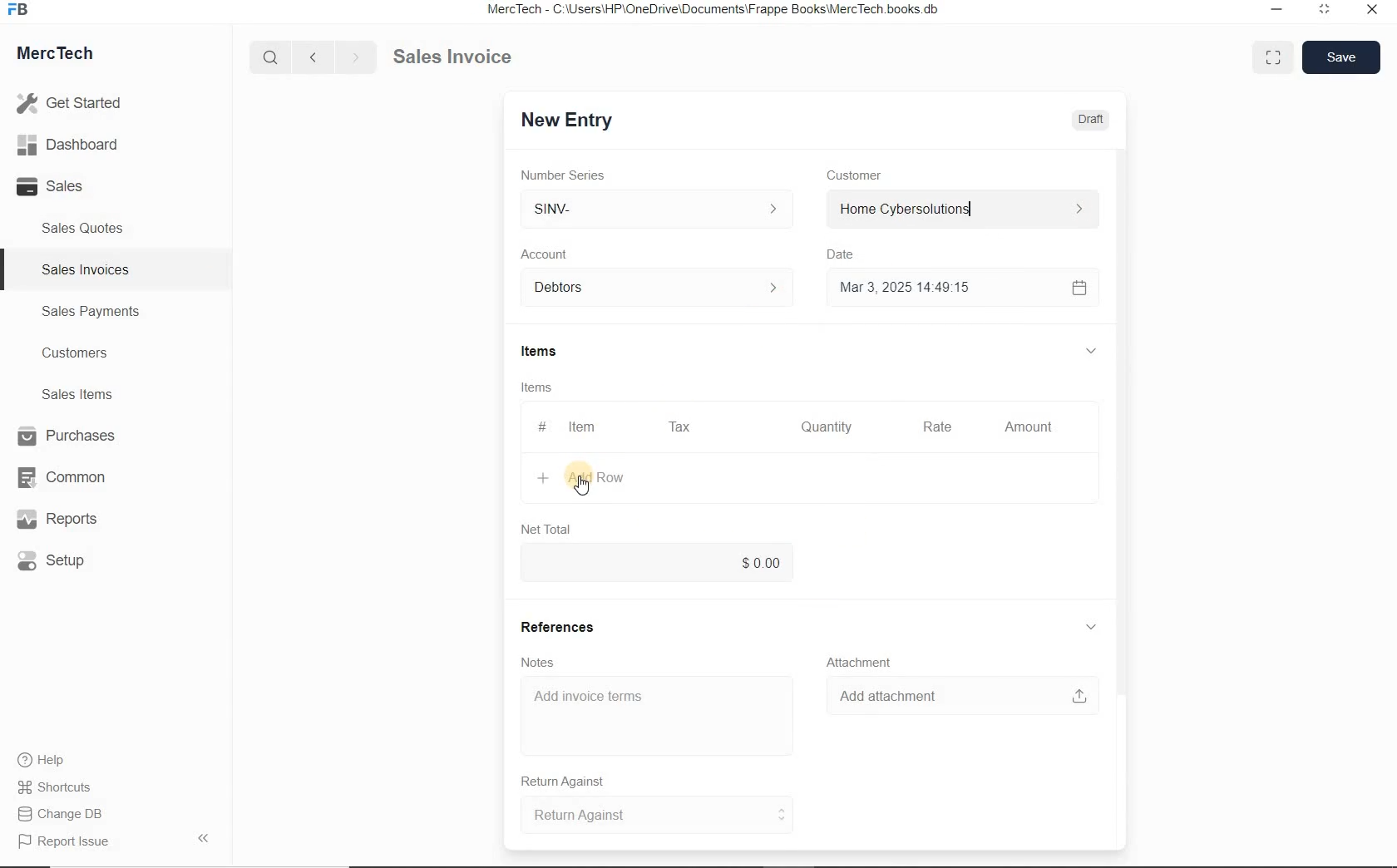 The width and height of the screenshot is (1397, 868). What do you see at coordinates (657, 717) in the screenshot?
I see `Add invoice terms` at bounding box center [657, 717].